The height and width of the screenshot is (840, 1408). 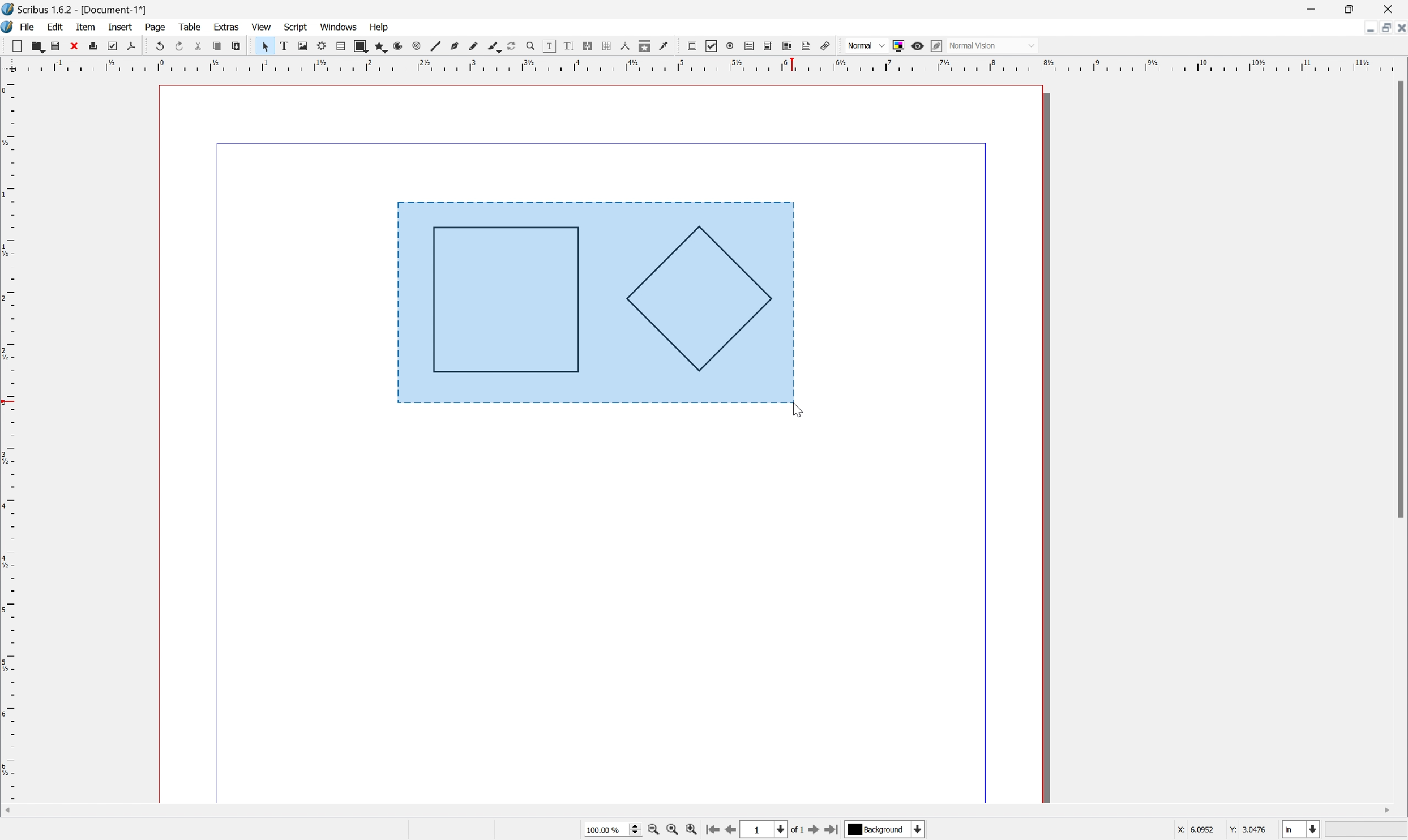 What do you see at coordinates (1352, 8) in the screenshot?
I see `Restore Down` at bounding box center [1352, 8].